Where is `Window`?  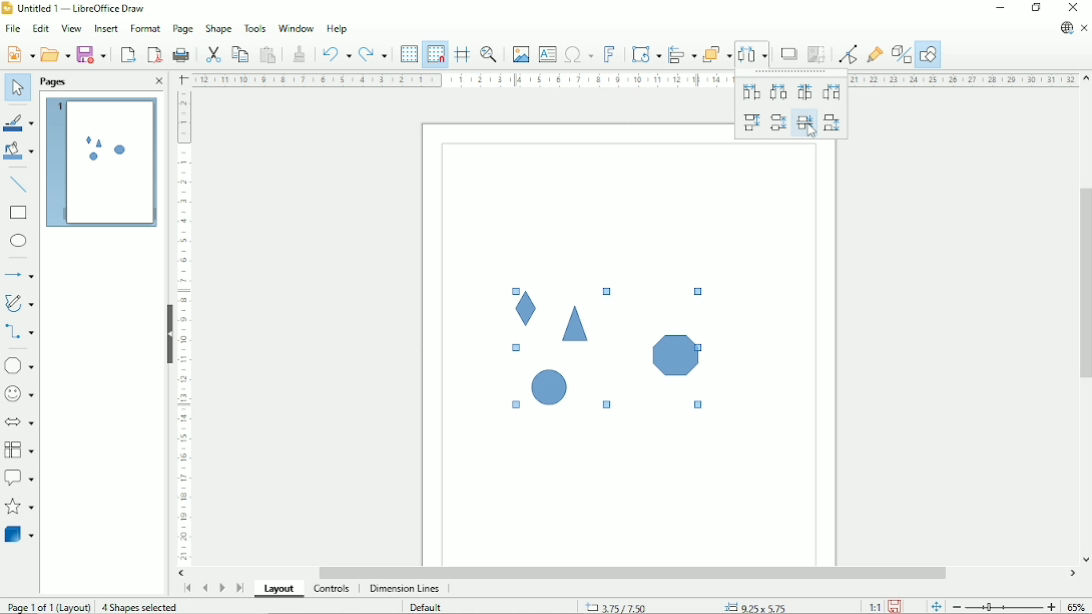 Window is located at coordinates (296, 27).